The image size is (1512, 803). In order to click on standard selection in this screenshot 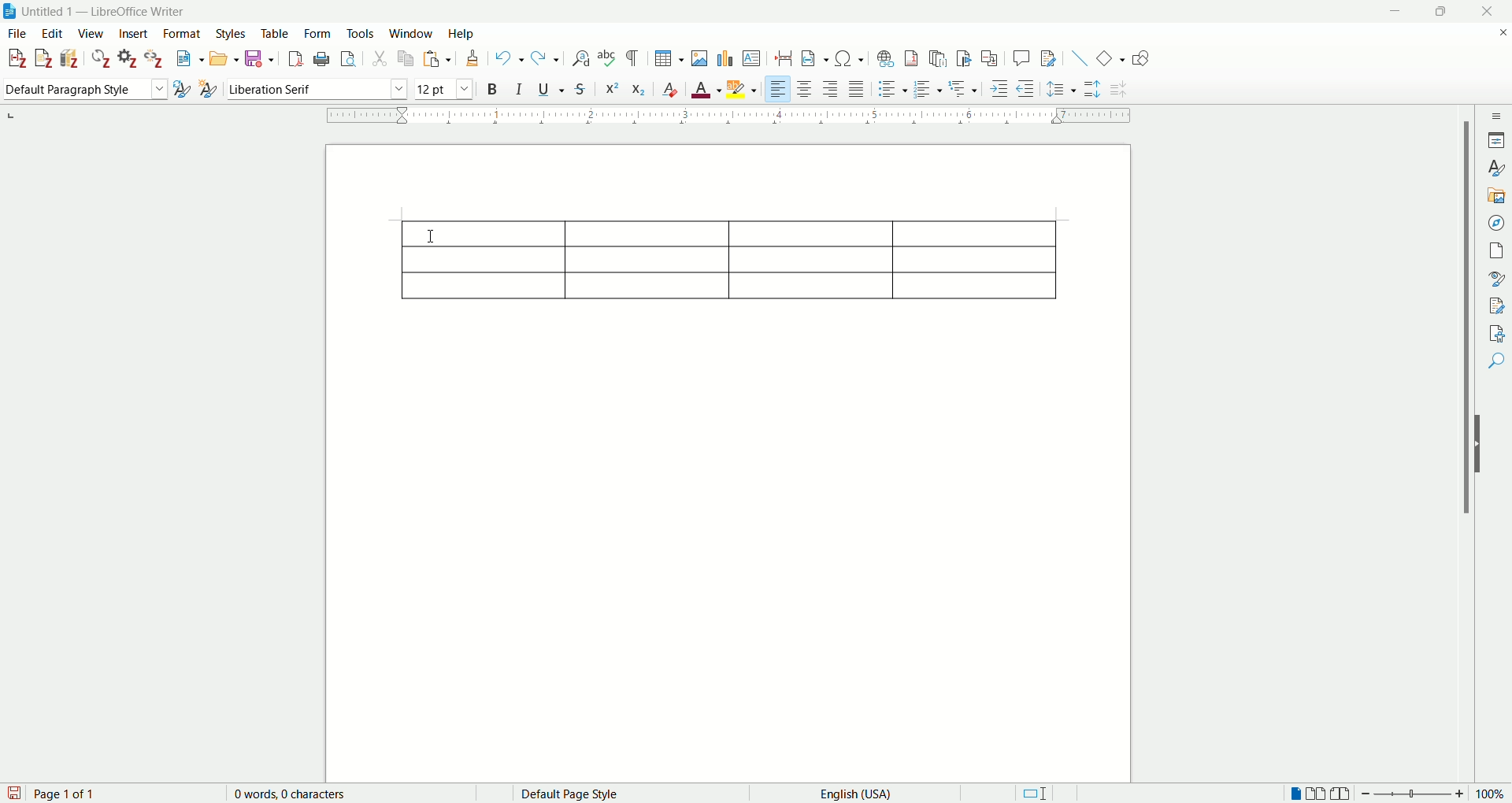, I will do `click(1046, 792)`.